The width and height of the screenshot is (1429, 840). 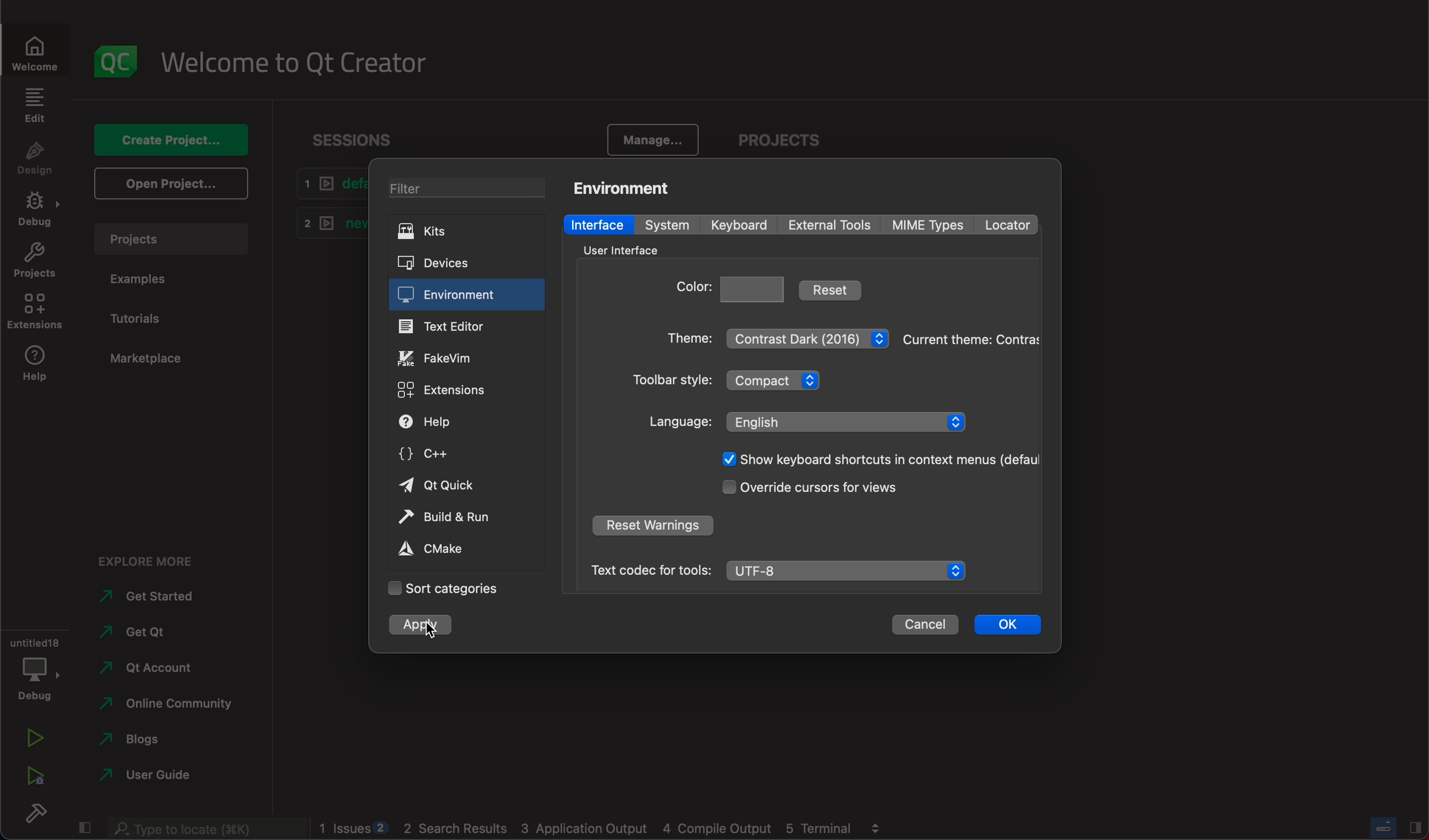 What do you see at coordinates (32, 260) in the screenshot?
I see `projects` at bounding box center [32, 260].